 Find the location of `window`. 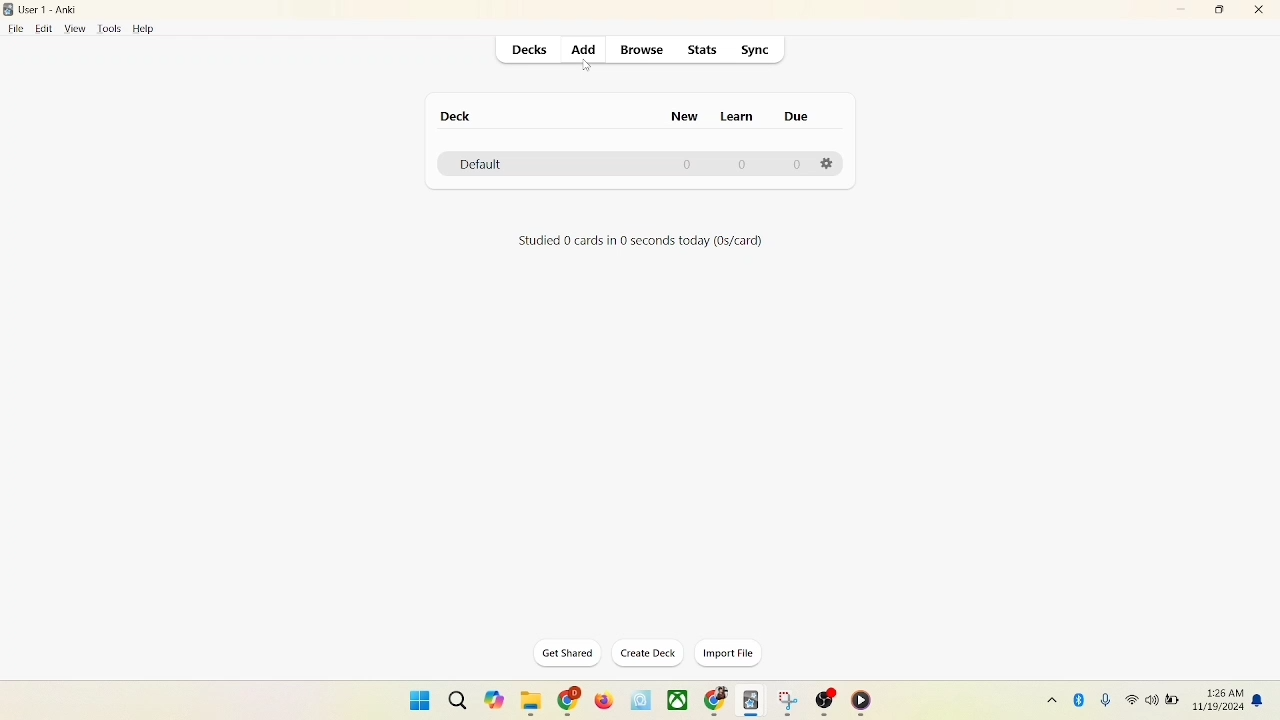

window is located at coordinates (412, 699).